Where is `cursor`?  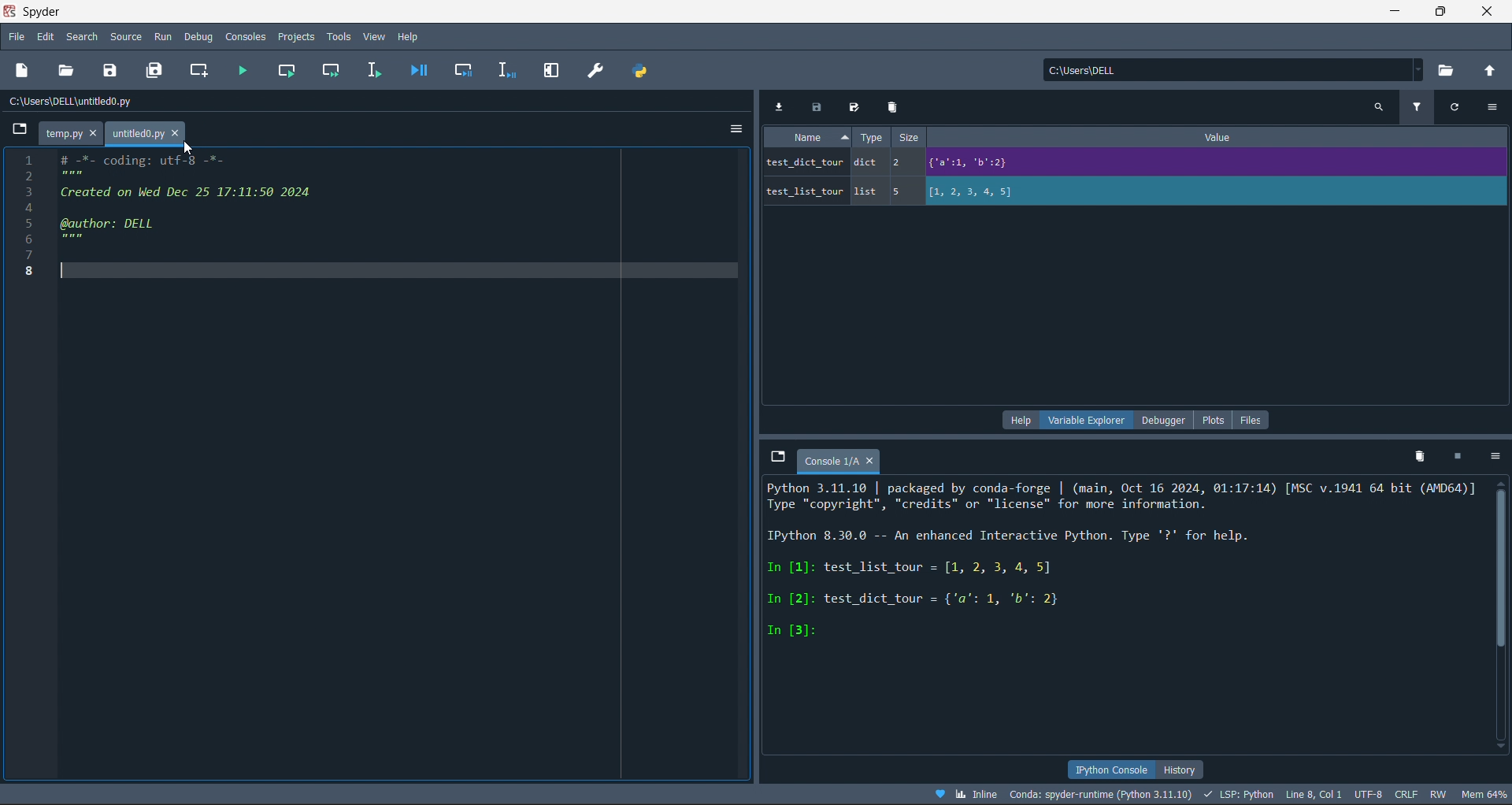 cursor is located at coordinates (191, 150).